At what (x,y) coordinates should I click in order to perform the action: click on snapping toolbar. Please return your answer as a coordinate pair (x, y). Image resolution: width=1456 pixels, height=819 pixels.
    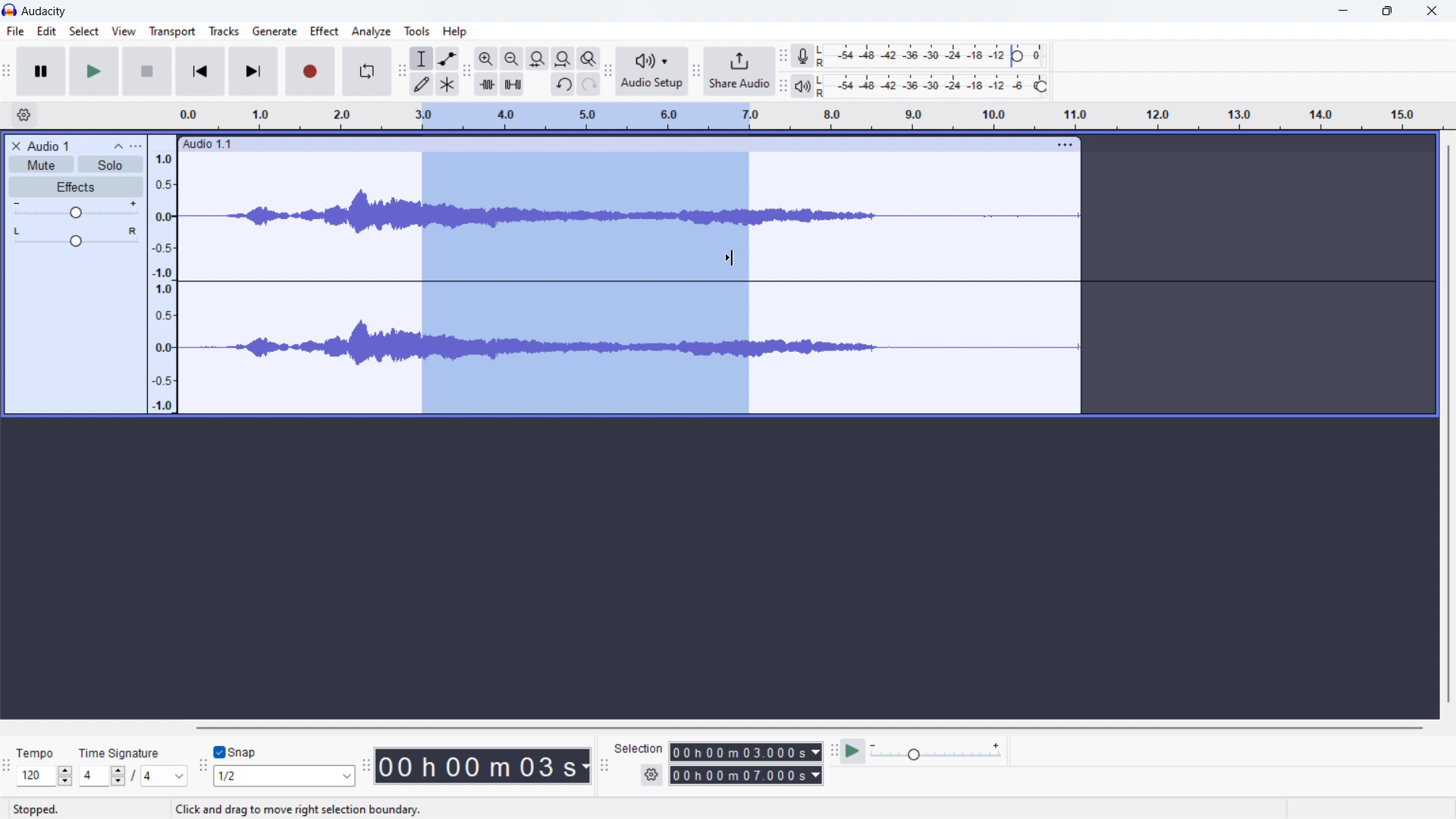
    Looking at the image, I should click on (202, 769).